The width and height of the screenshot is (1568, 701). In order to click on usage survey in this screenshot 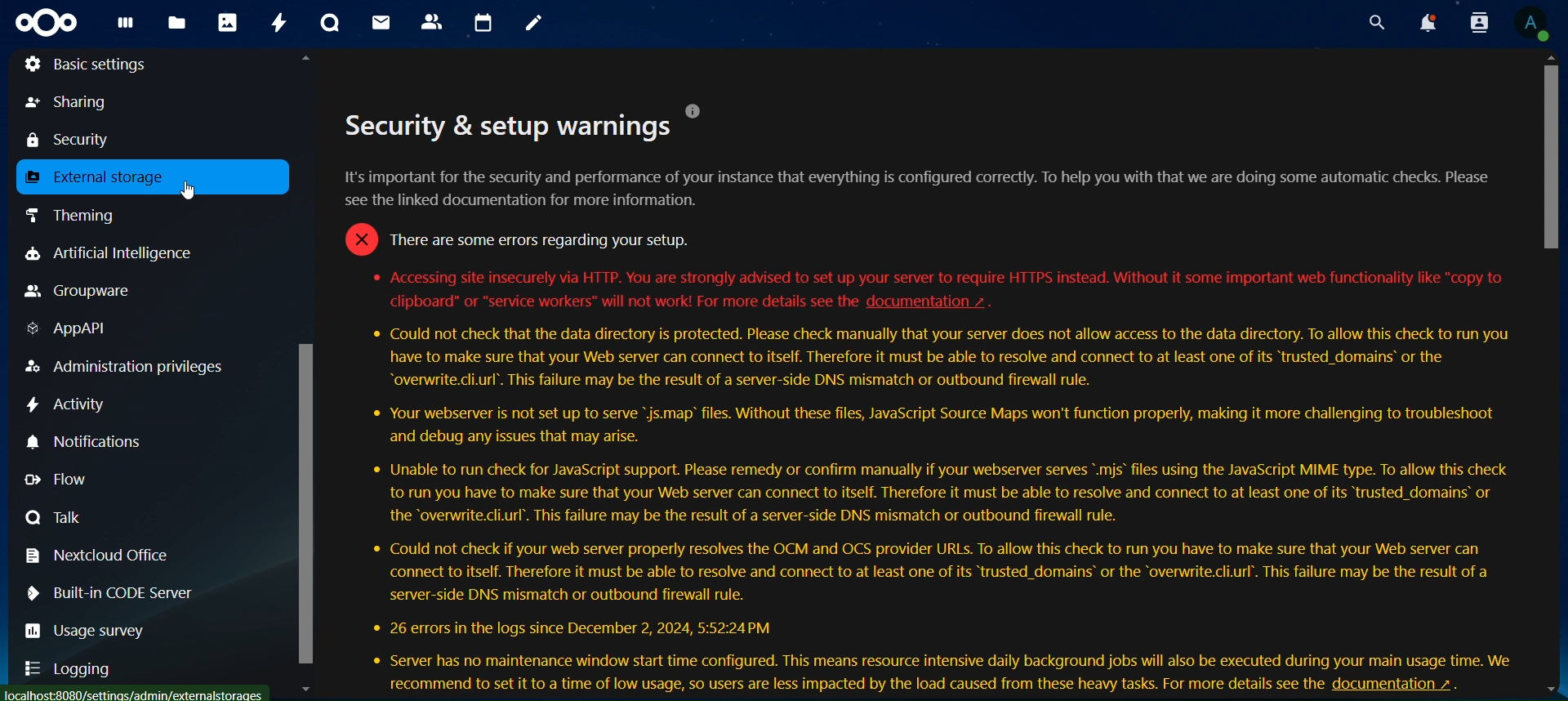, I will do `click(102, 630)`.